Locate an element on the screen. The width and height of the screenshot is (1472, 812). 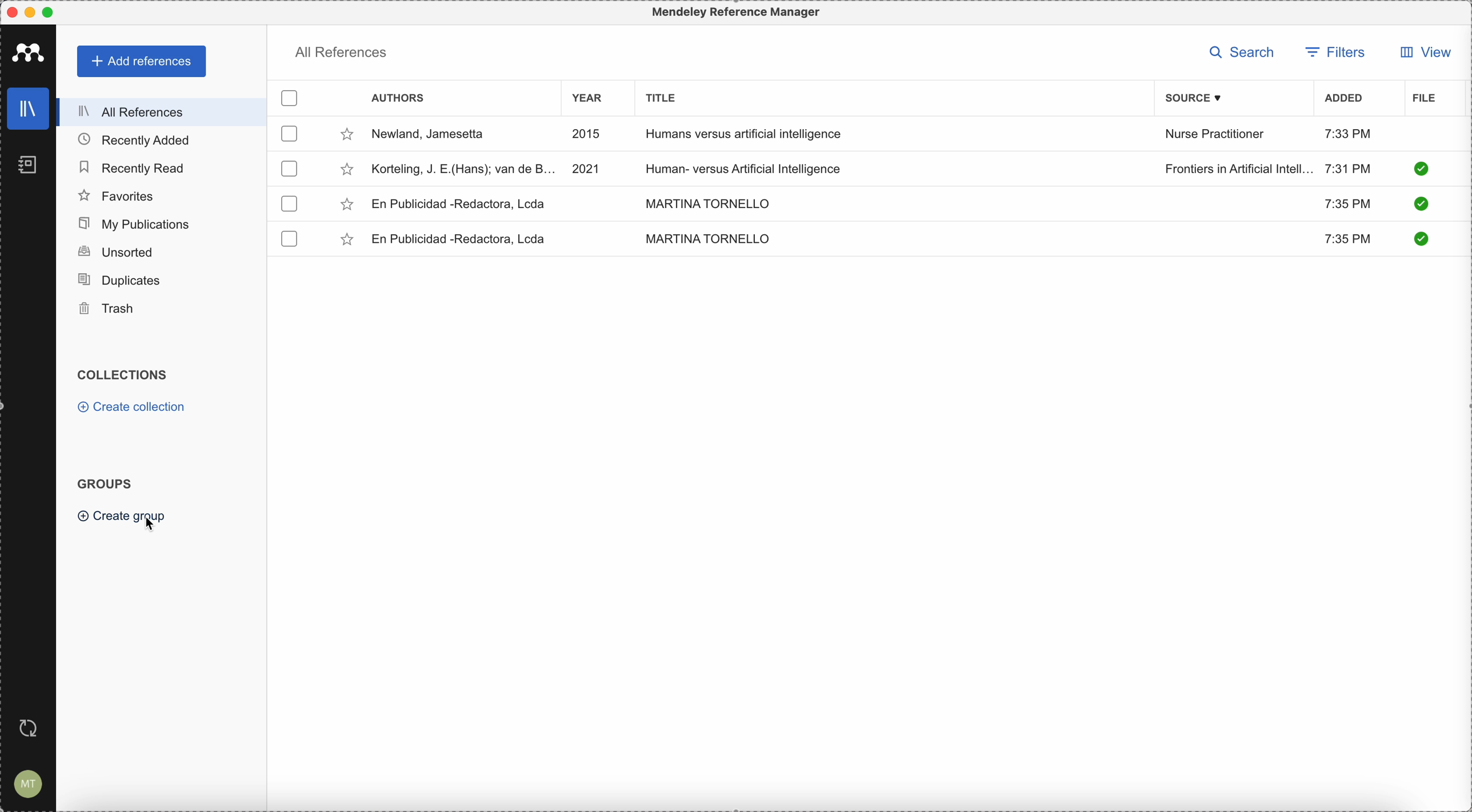
recently added is located at coordinates (143, 139).